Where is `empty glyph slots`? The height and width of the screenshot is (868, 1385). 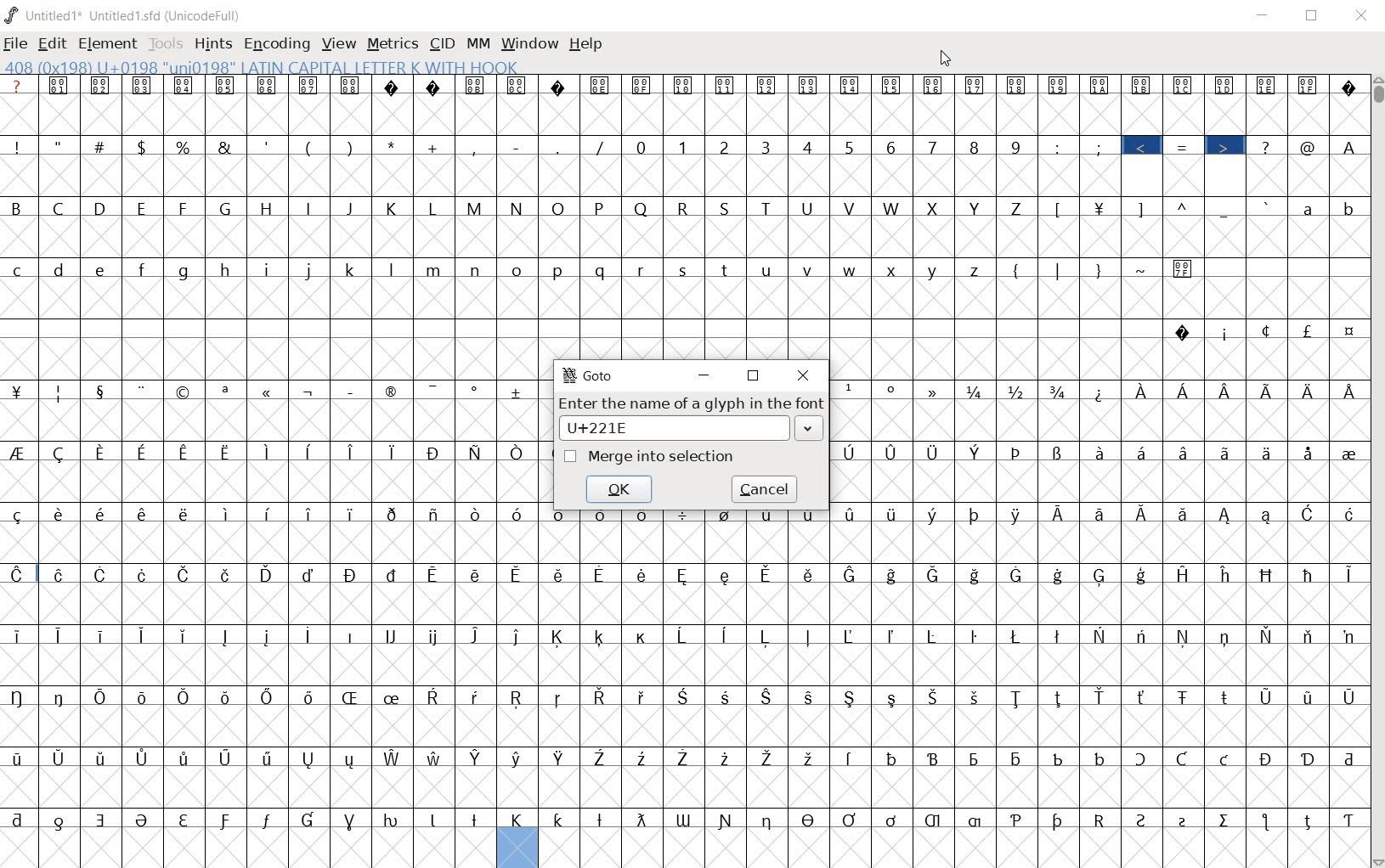
empty glyph slots is located at coordinates (682, 176).